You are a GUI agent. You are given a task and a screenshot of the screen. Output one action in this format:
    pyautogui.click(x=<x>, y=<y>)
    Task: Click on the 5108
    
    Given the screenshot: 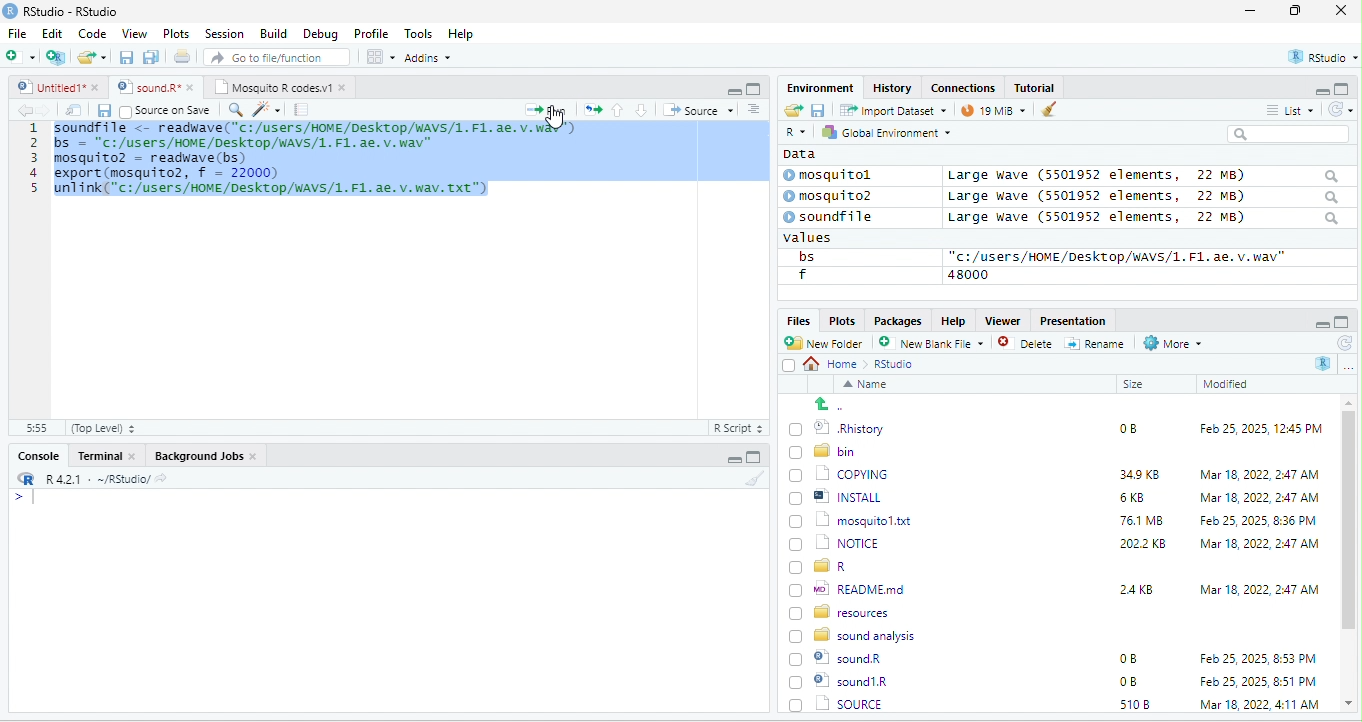 What is the action you would take?
    pyautogui.click(x=1130, y=680)
    